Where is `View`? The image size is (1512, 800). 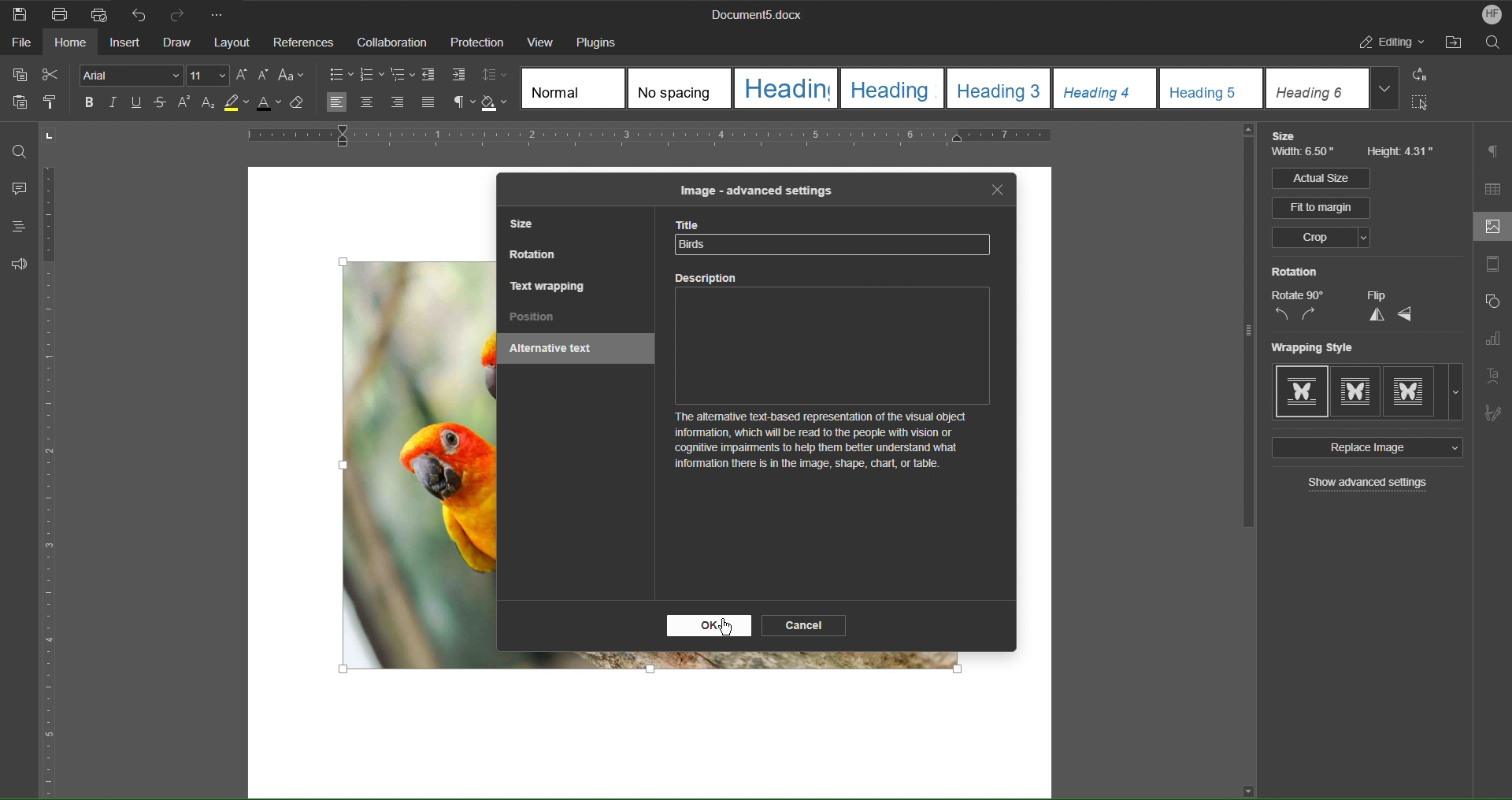
View is located at coordinates (540, 41).